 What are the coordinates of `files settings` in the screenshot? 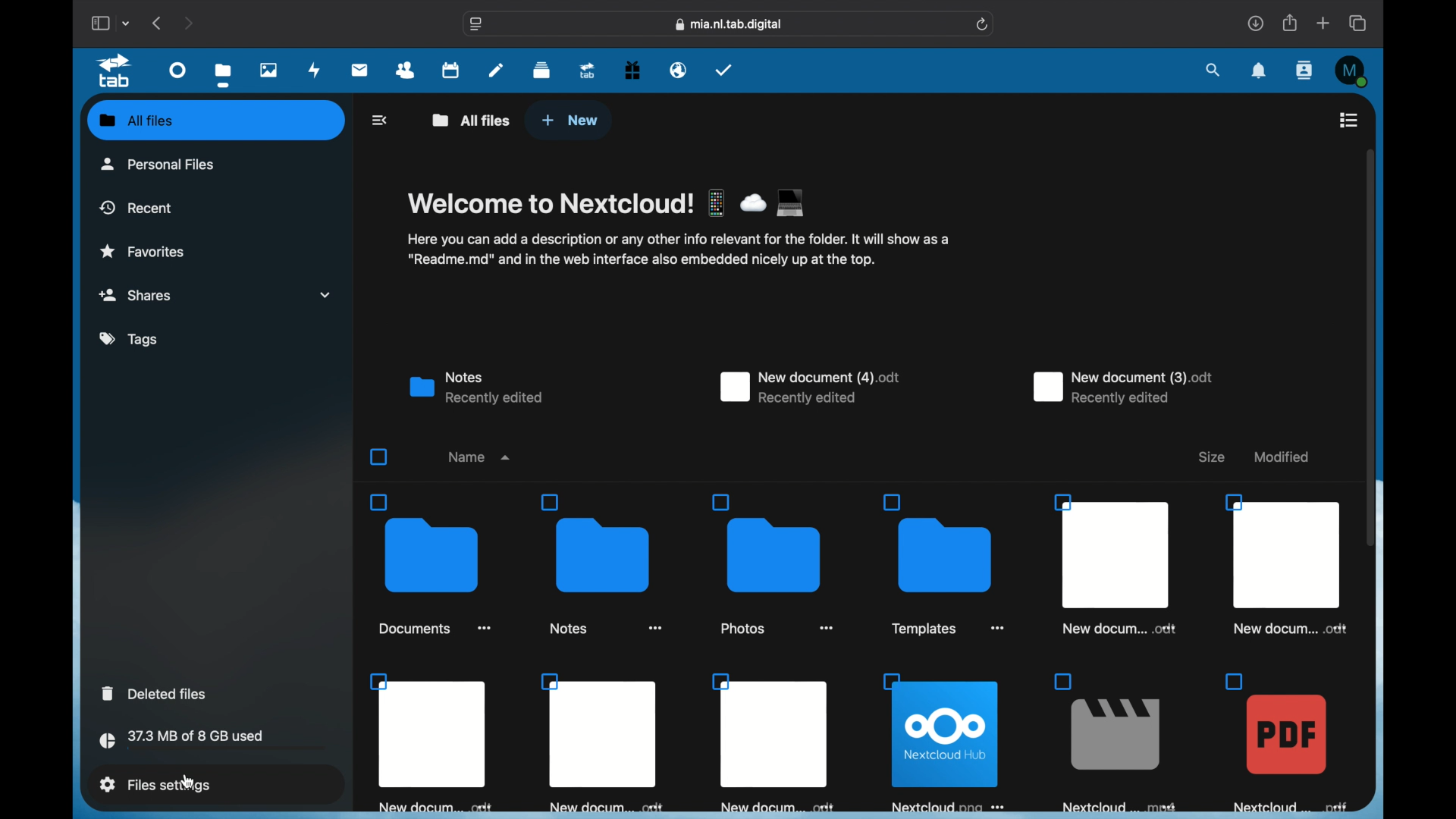 It's located at (155, 785).